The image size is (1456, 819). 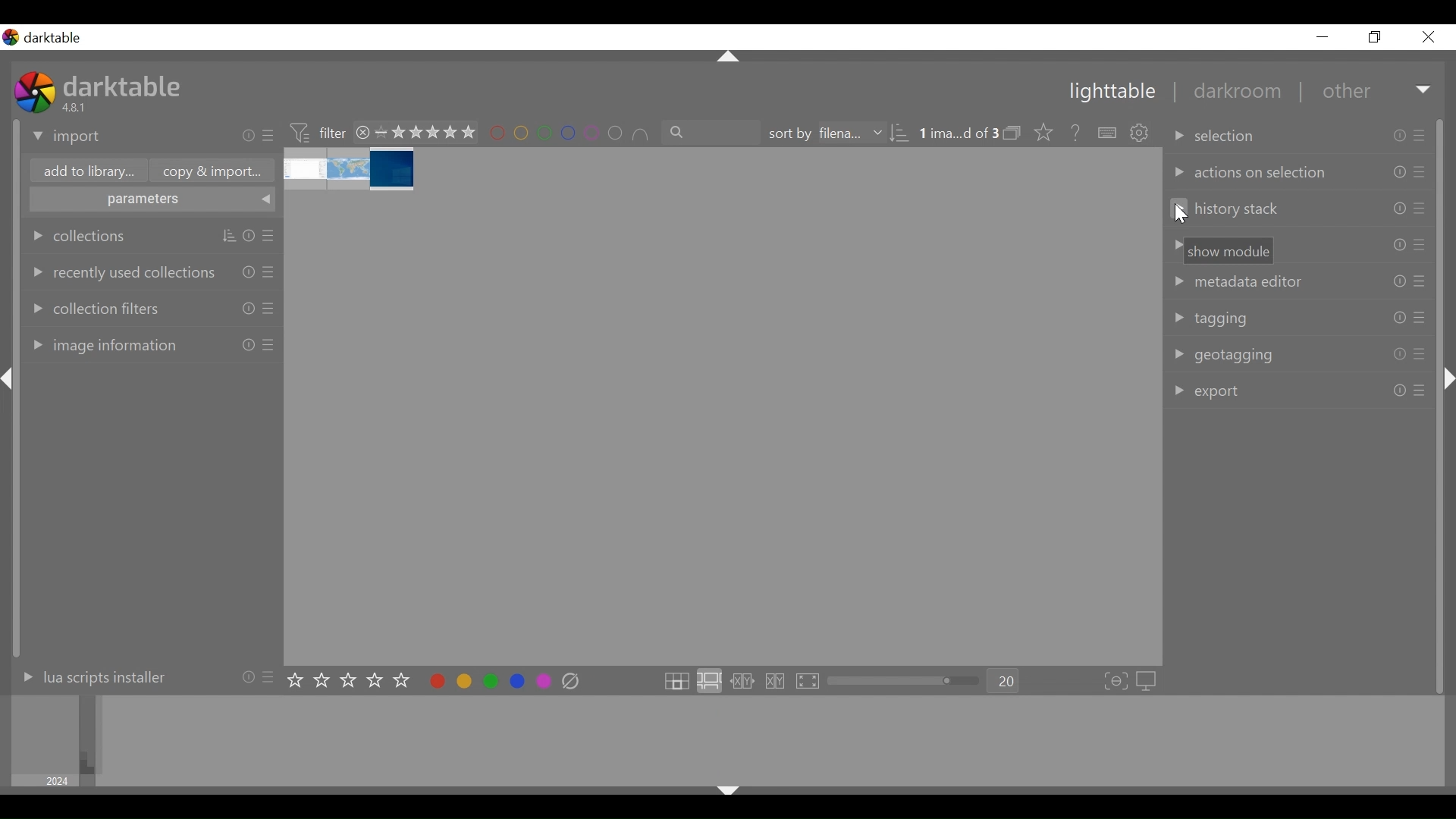 I want to click on restore, so click(x=1373, y=37).